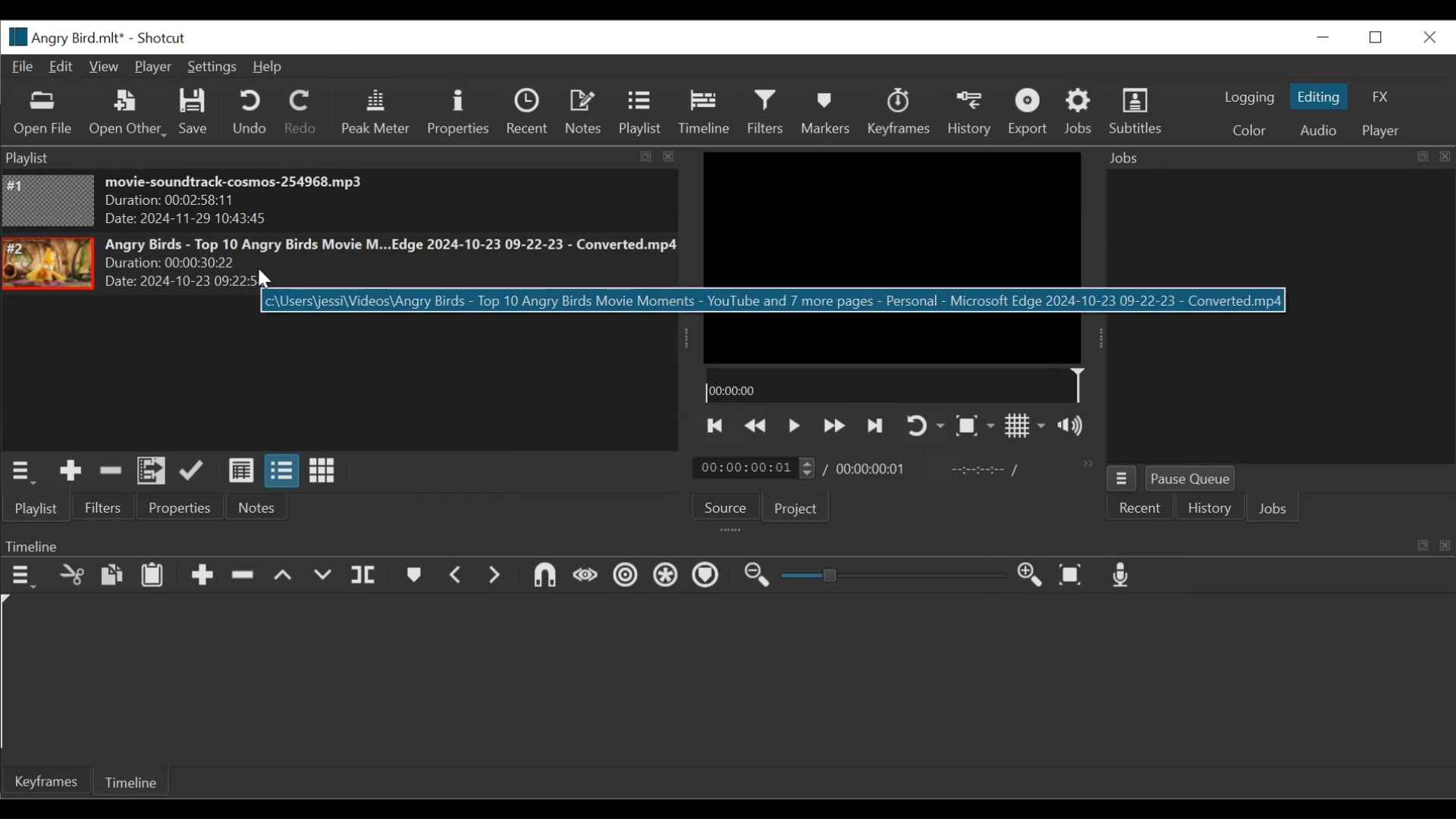  Describe the element at coordinates (1265, 317) in the screenshot. I see `Jobs Panel` at that location.